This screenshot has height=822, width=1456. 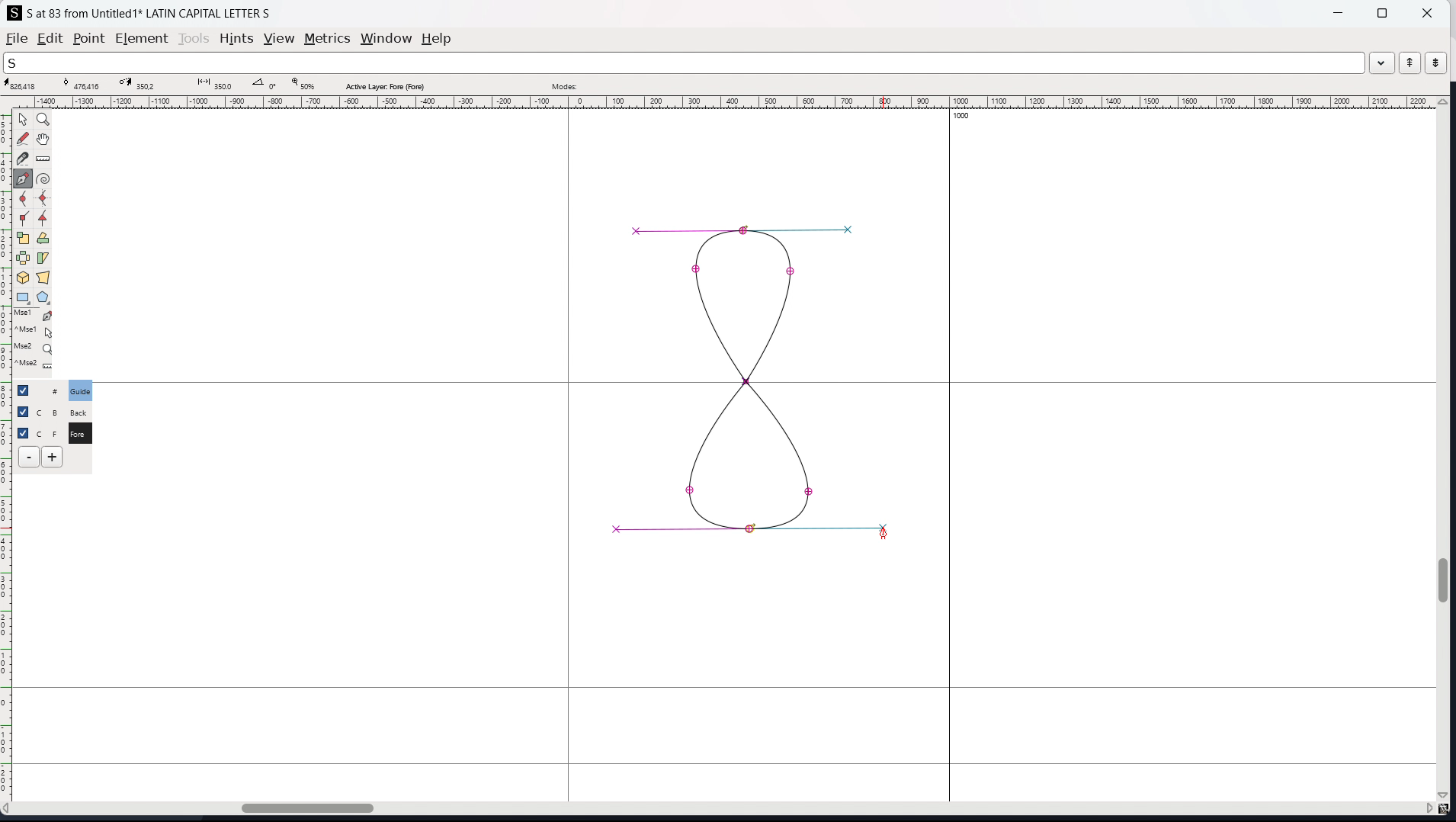 I want to click on horizontal ruler, so click(x=720, y=102).